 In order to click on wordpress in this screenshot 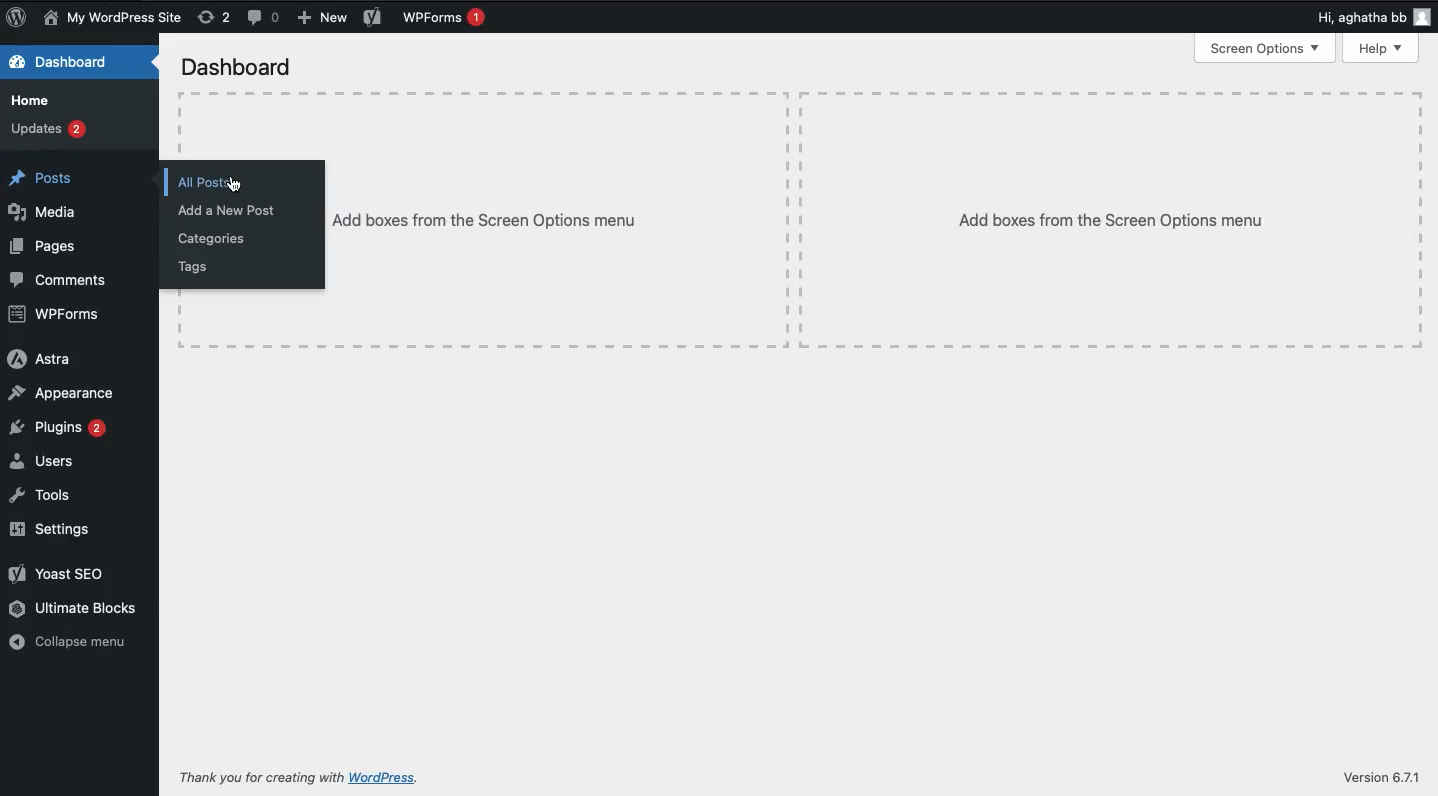, I will do `click(384, 778)`.